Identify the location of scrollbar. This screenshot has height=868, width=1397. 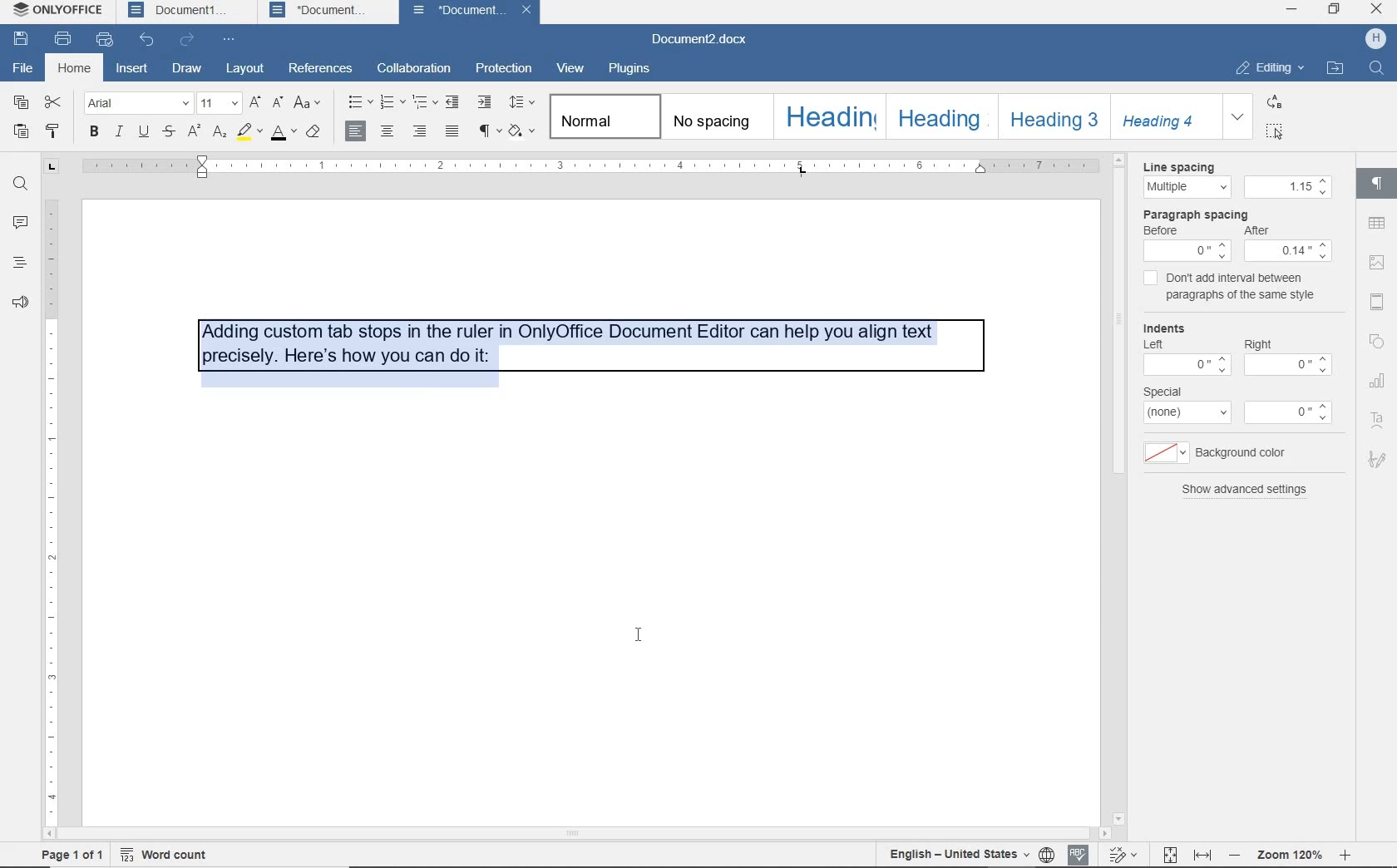
(1348, 496).